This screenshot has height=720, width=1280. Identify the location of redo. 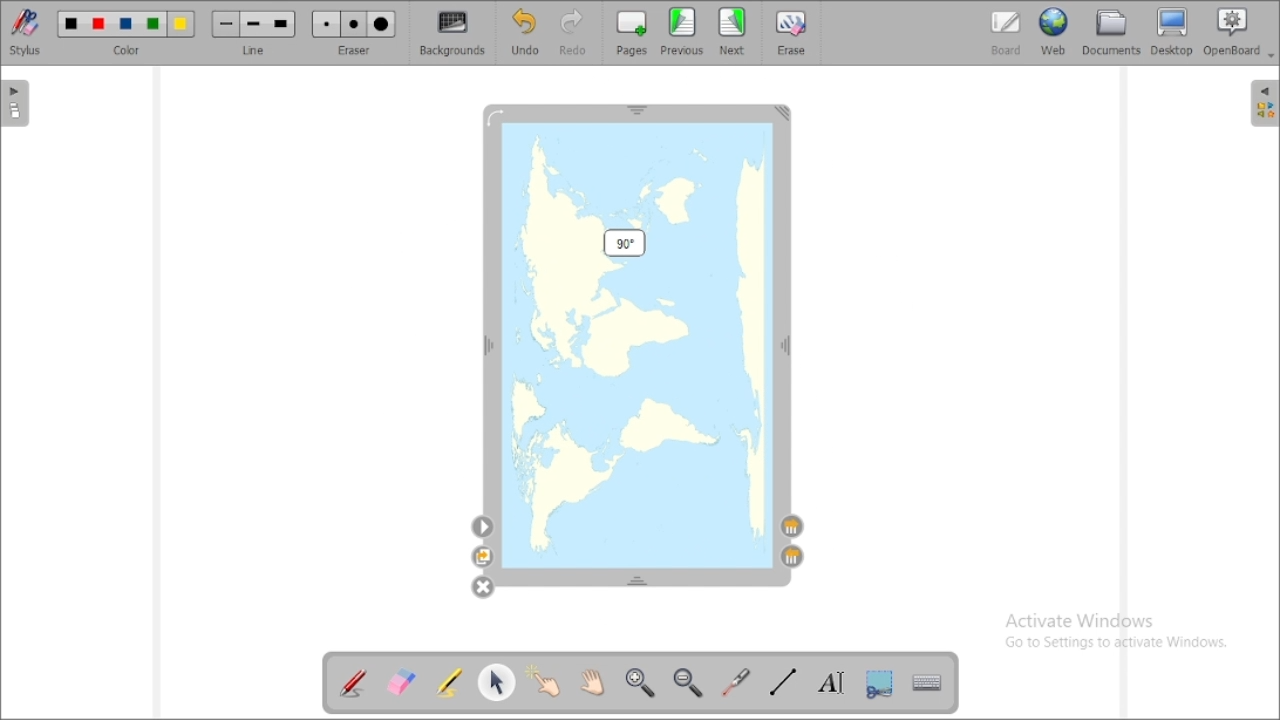
(574, 33).